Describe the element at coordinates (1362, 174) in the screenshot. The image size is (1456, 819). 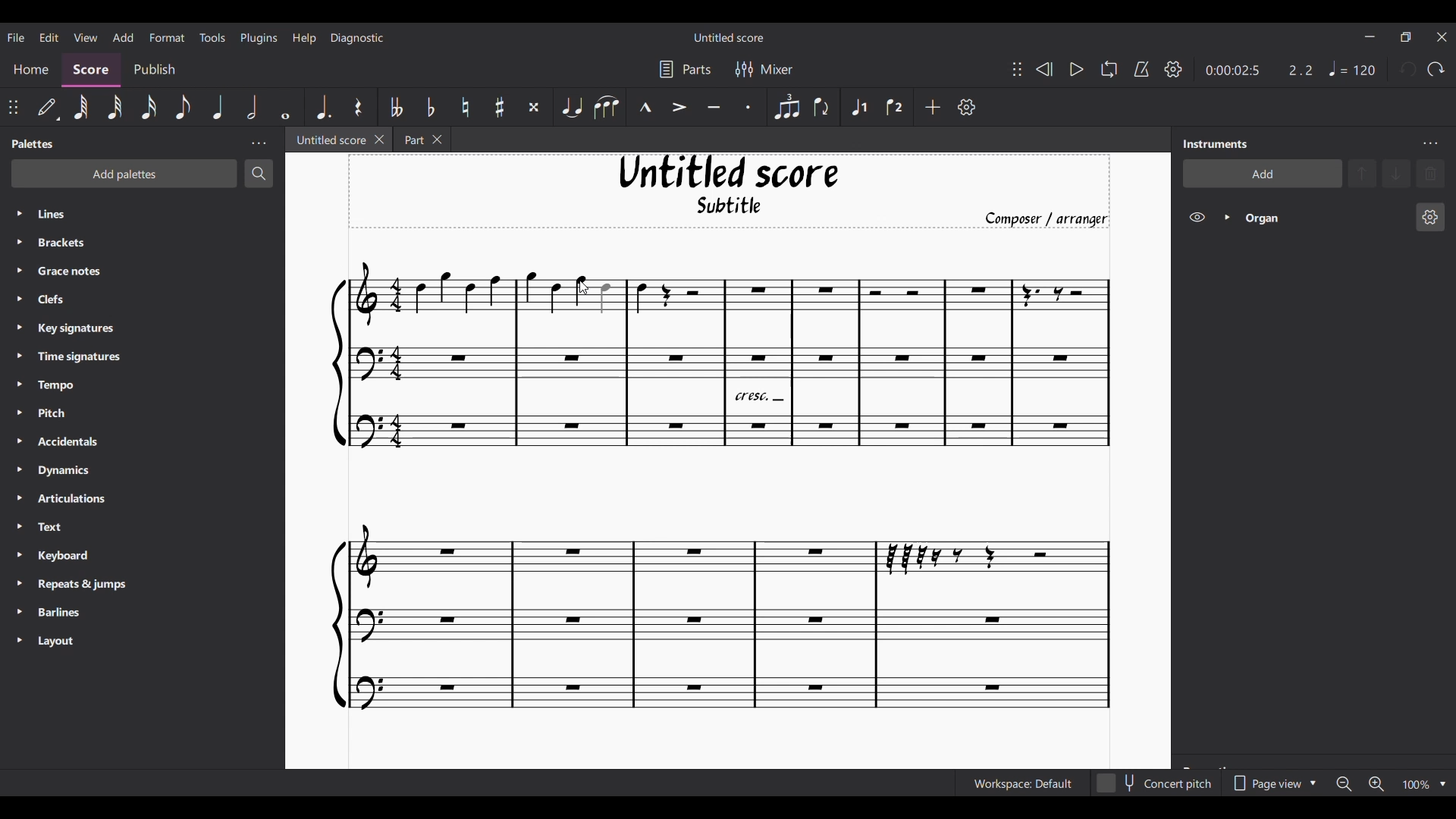
I see `Move selection up` at that location.